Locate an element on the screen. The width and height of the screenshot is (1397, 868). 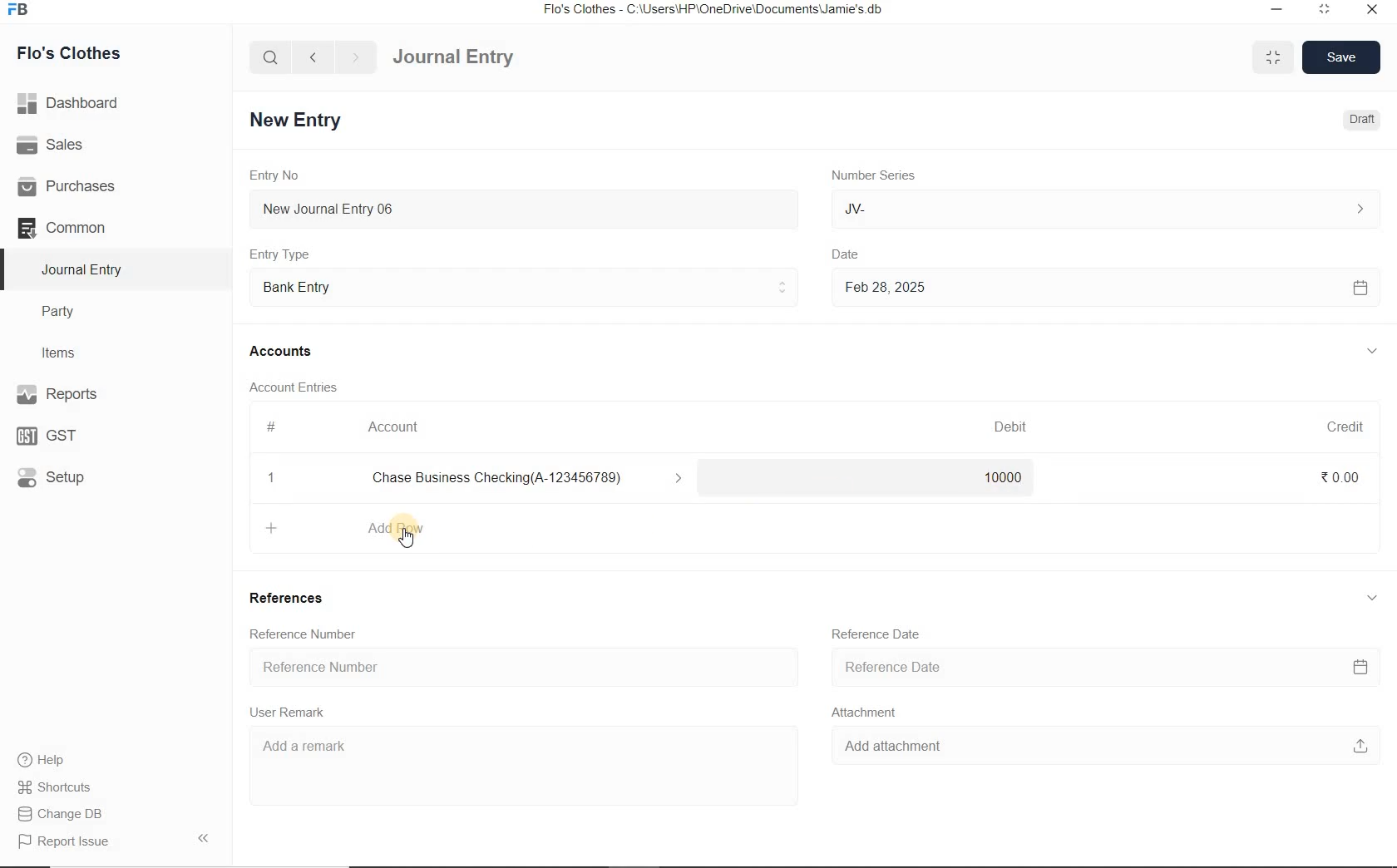
Report Issue is located at coordinates (63, 841).